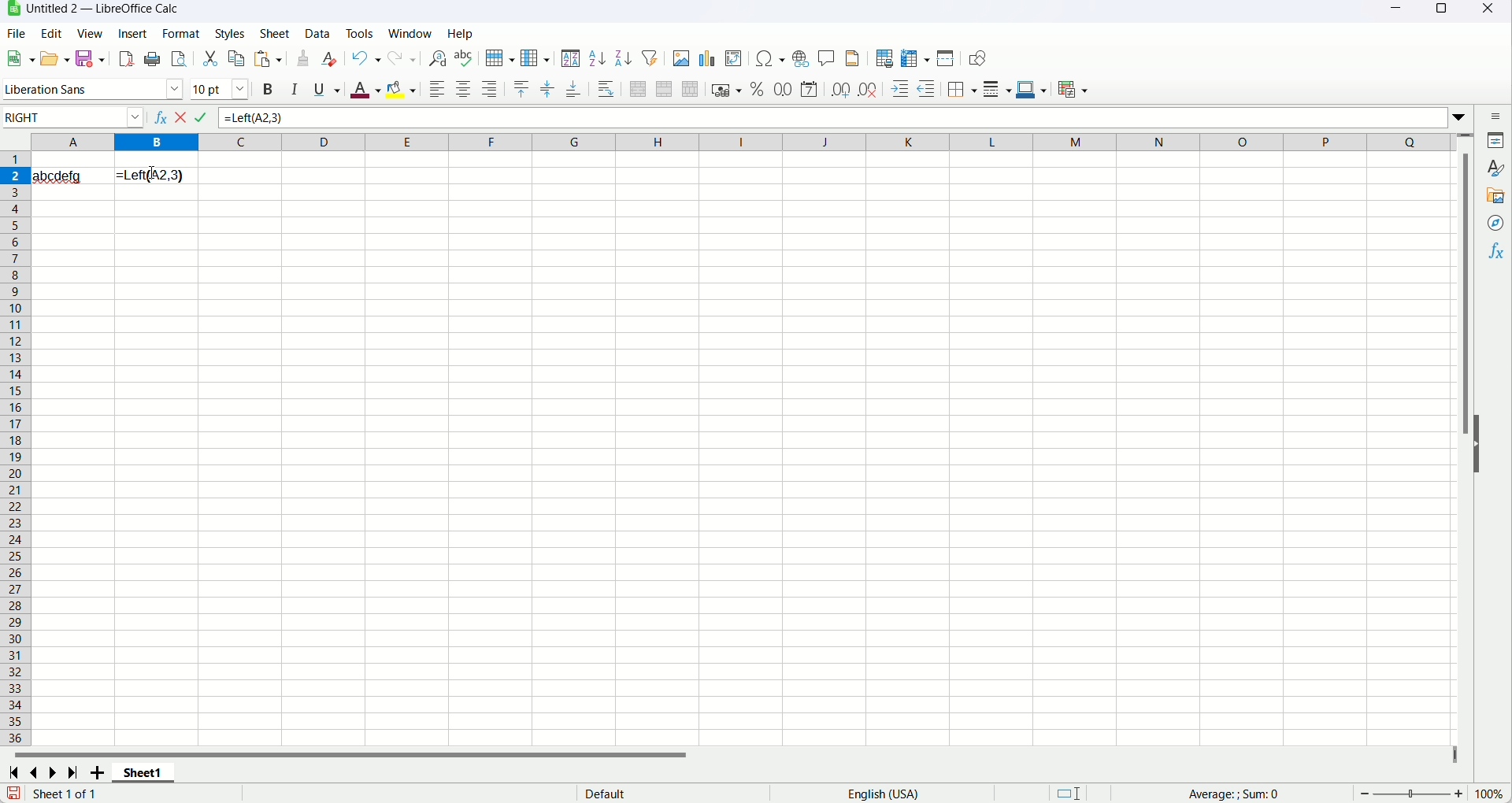 This screenshot has width=1512, height=803. I want to click on find and replace, so click(438, 58).